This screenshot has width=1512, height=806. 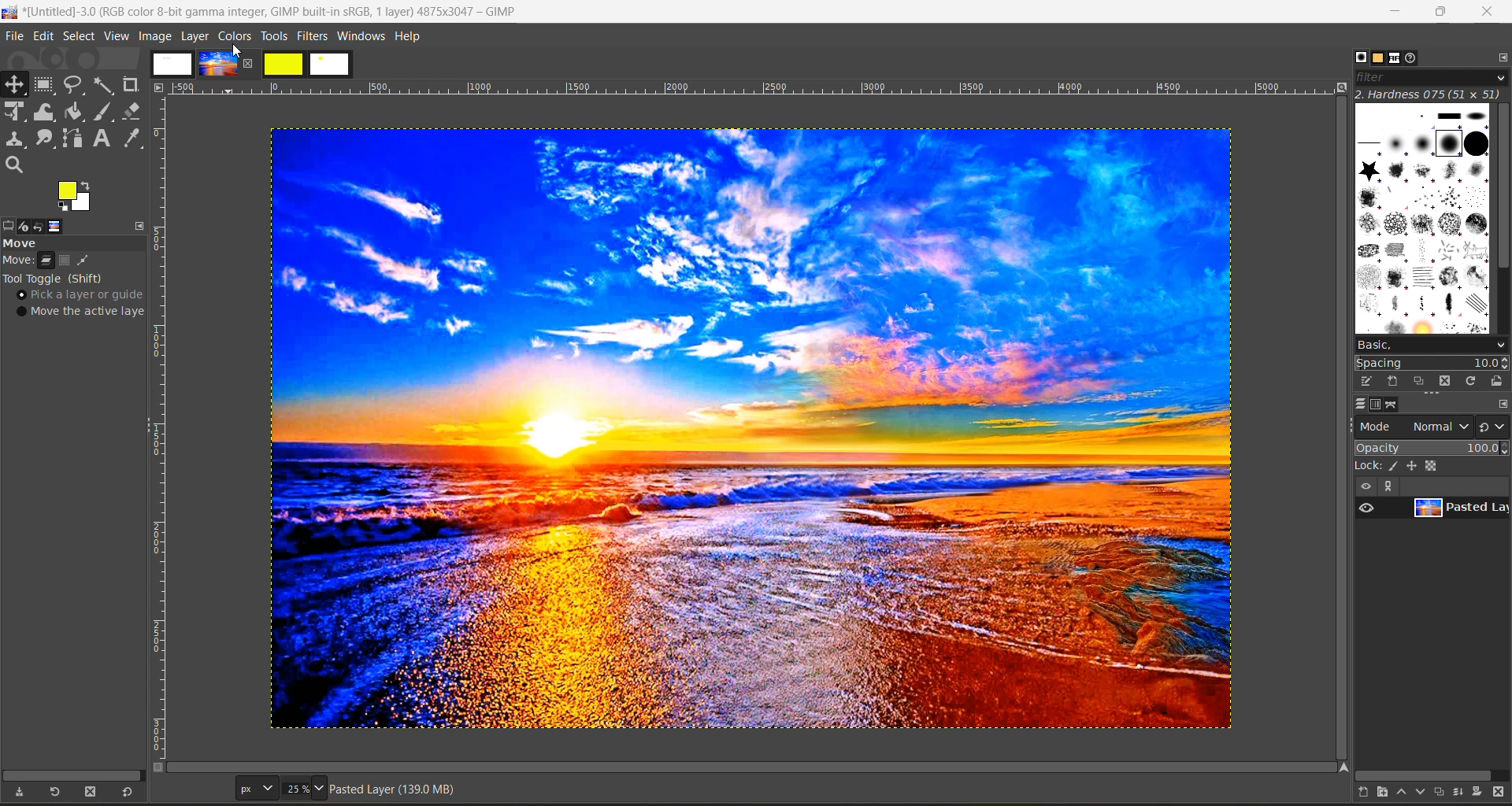 I want to click on reset to default, so click(x=128, y=791).